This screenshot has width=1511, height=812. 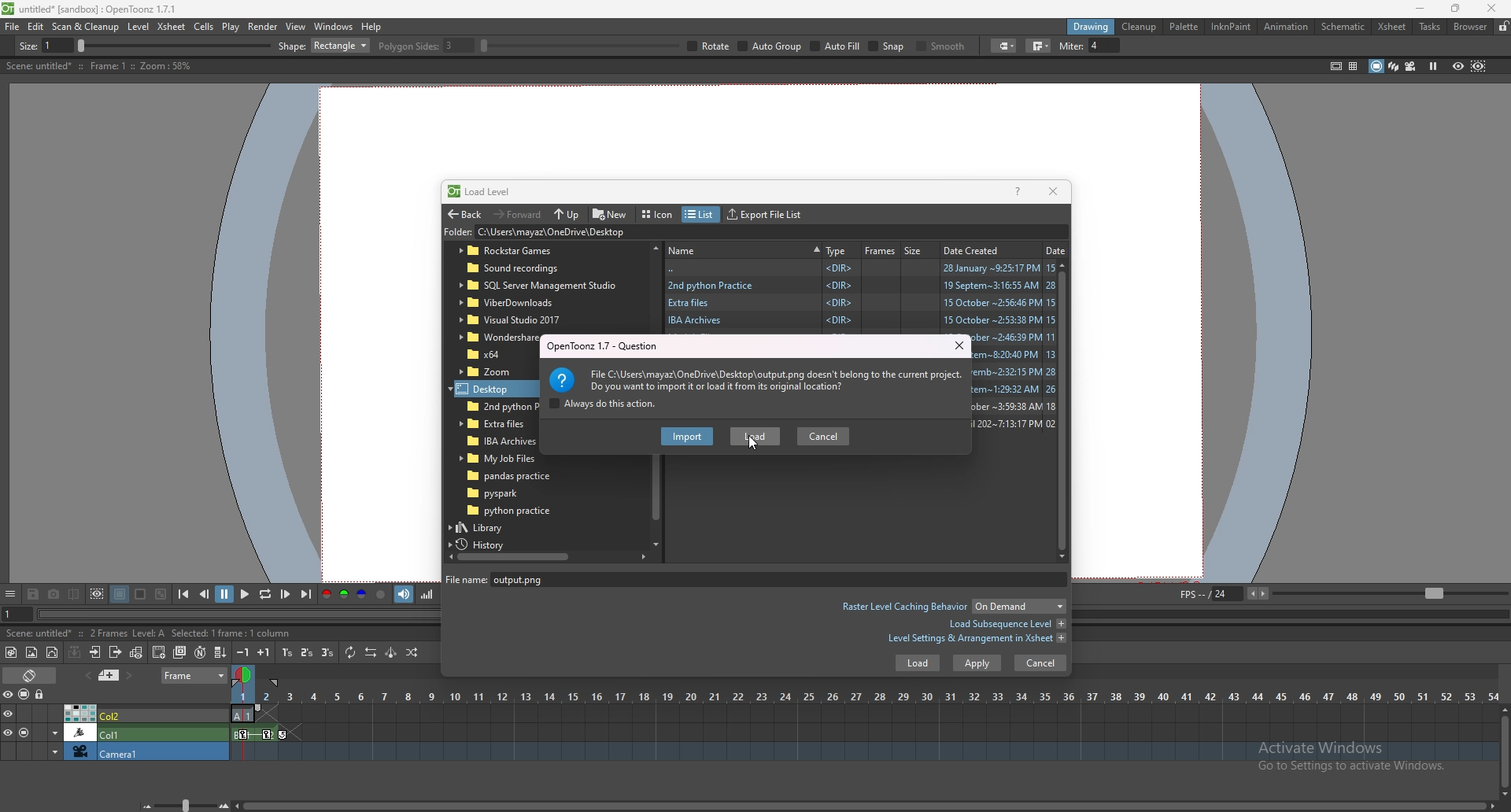 I want to click on level, so click(x=140, y=27).